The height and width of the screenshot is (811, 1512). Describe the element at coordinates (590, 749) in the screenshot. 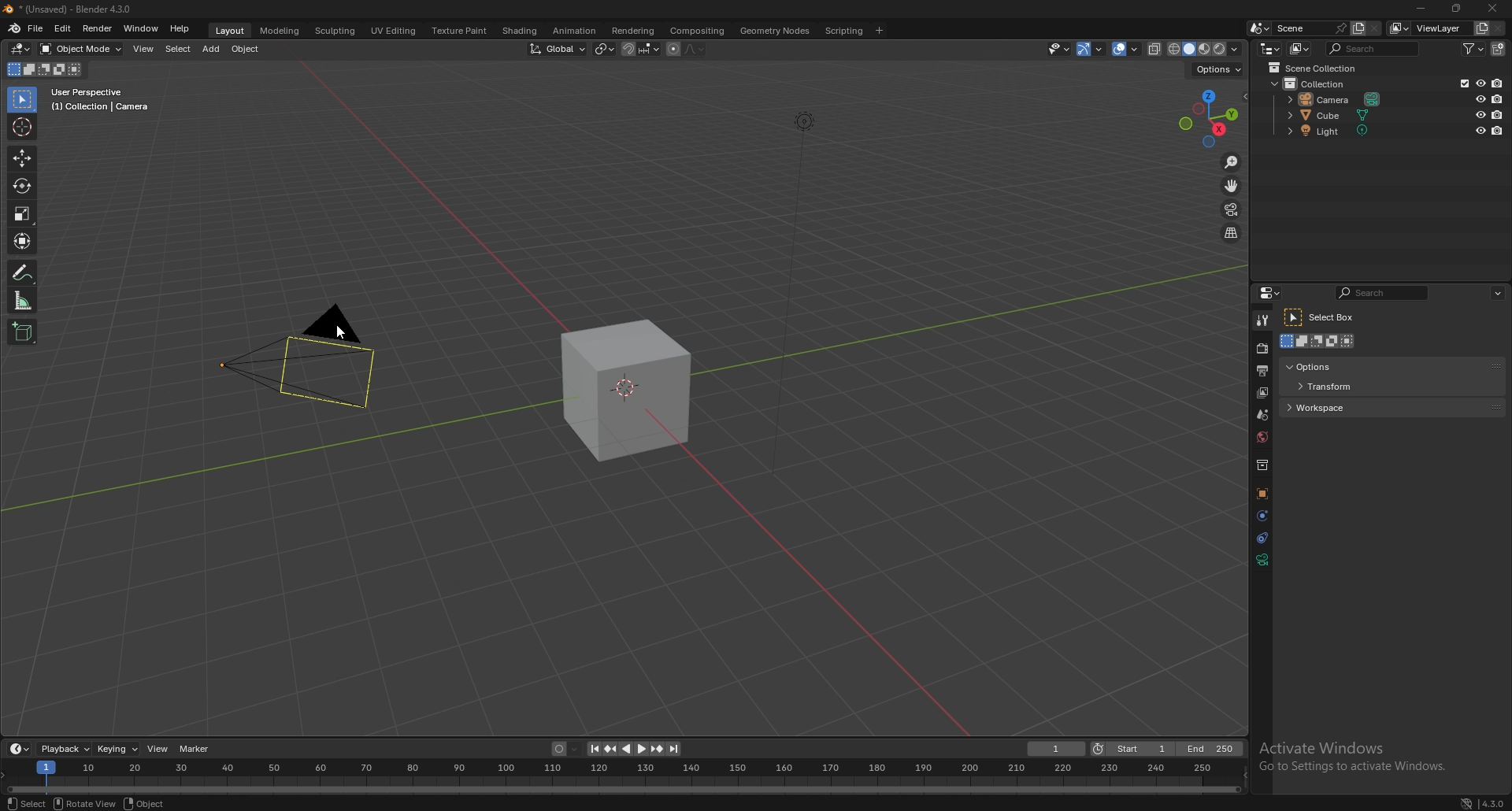

I see `jump to endpoint` at that location.